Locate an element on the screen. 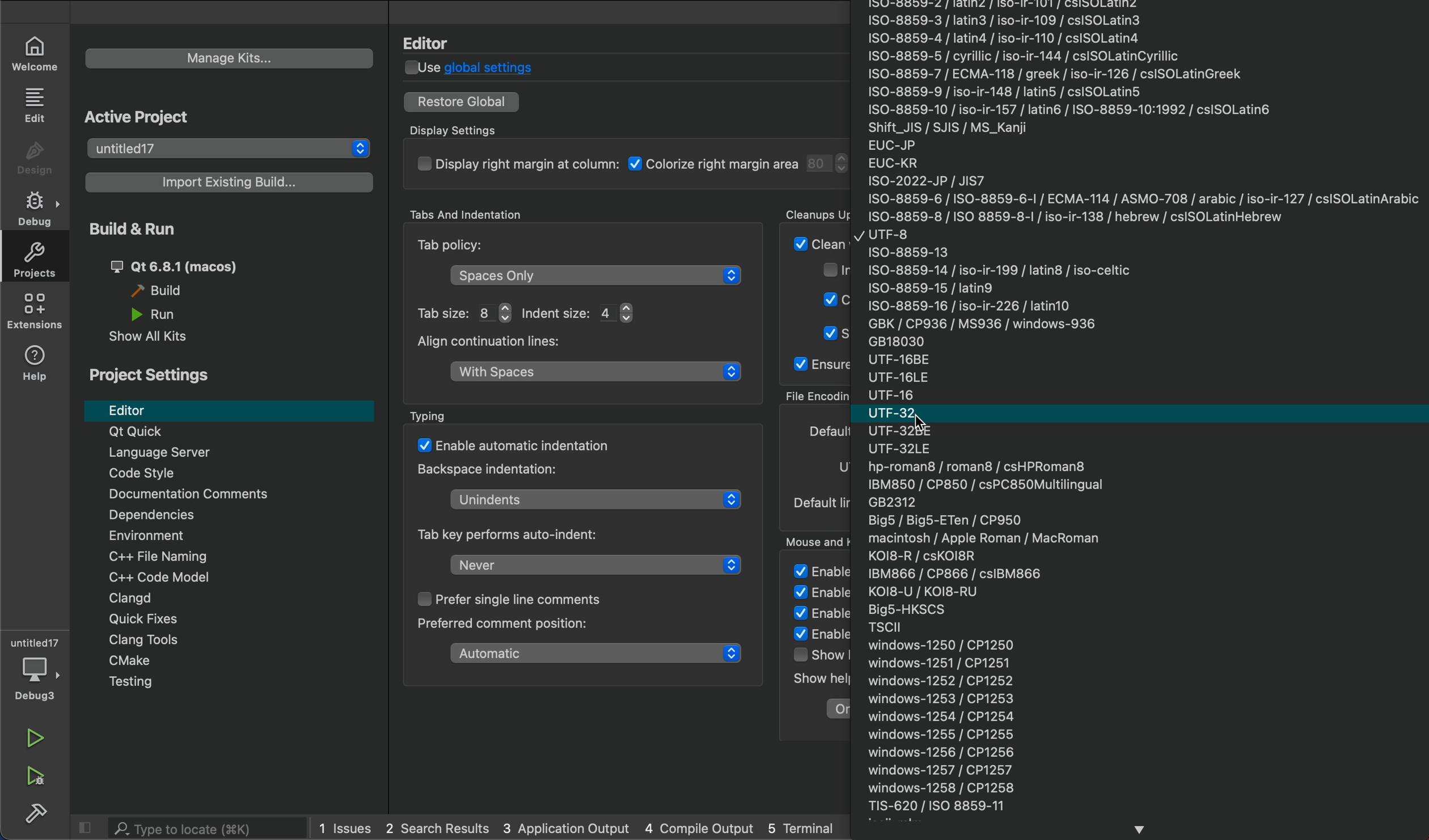 This screenshot has width=1429, height=840. single line is located at coordinates (526, 600).